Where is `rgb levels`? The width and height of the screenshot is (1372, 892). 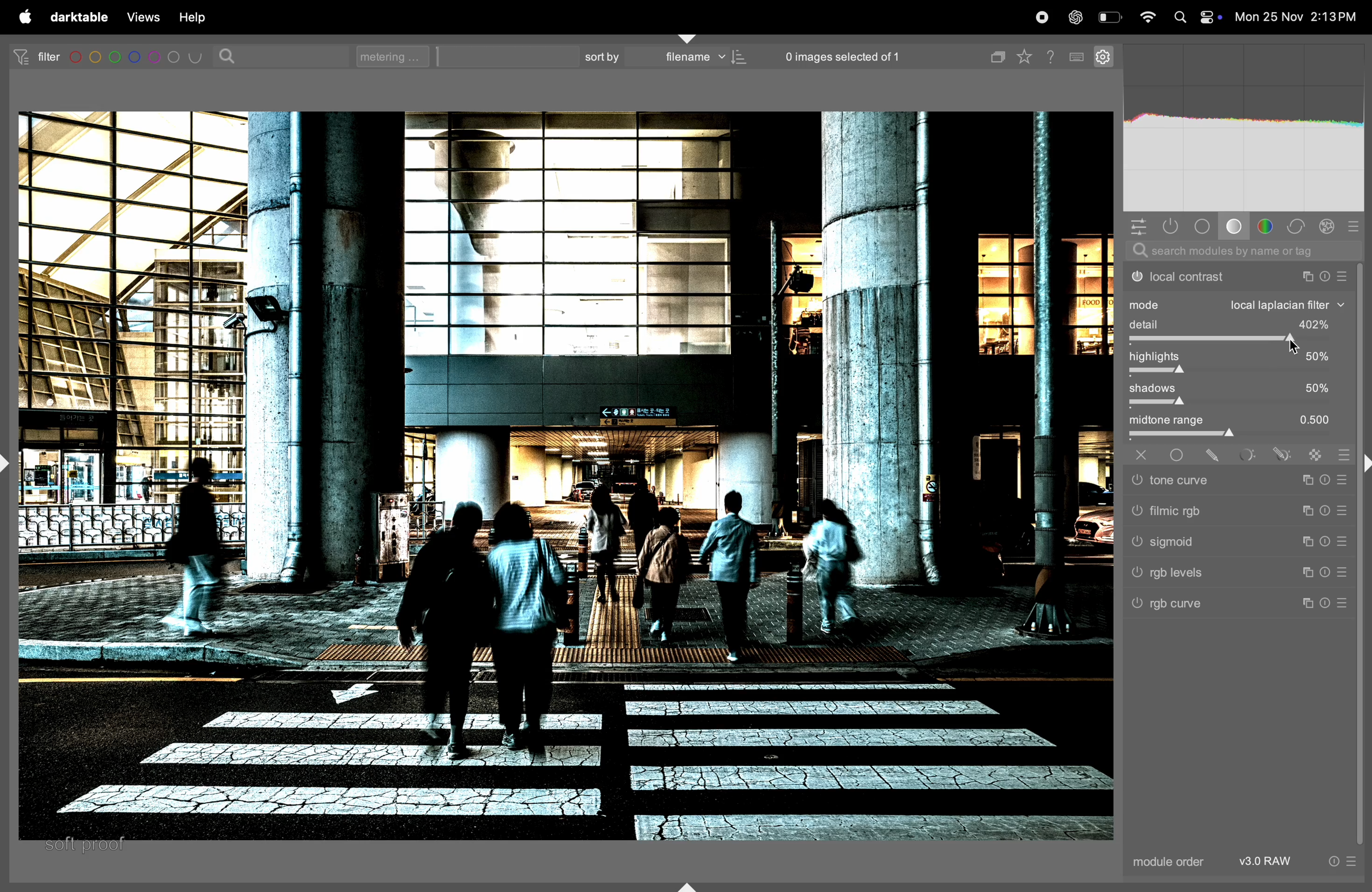
rgb levels is located at coordinates (1232, 574).